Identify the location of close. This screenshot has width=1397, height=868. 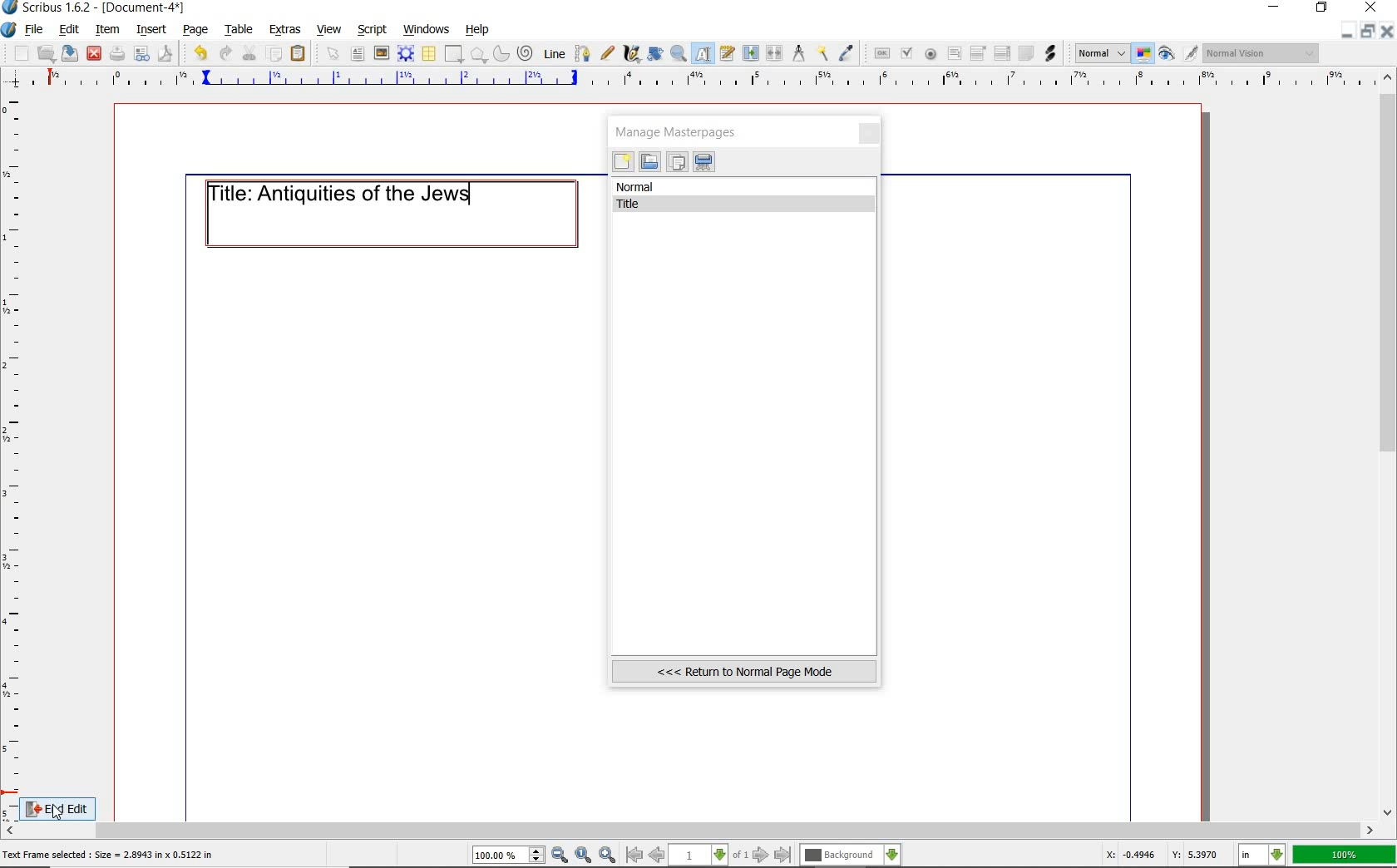
(1389, 31).